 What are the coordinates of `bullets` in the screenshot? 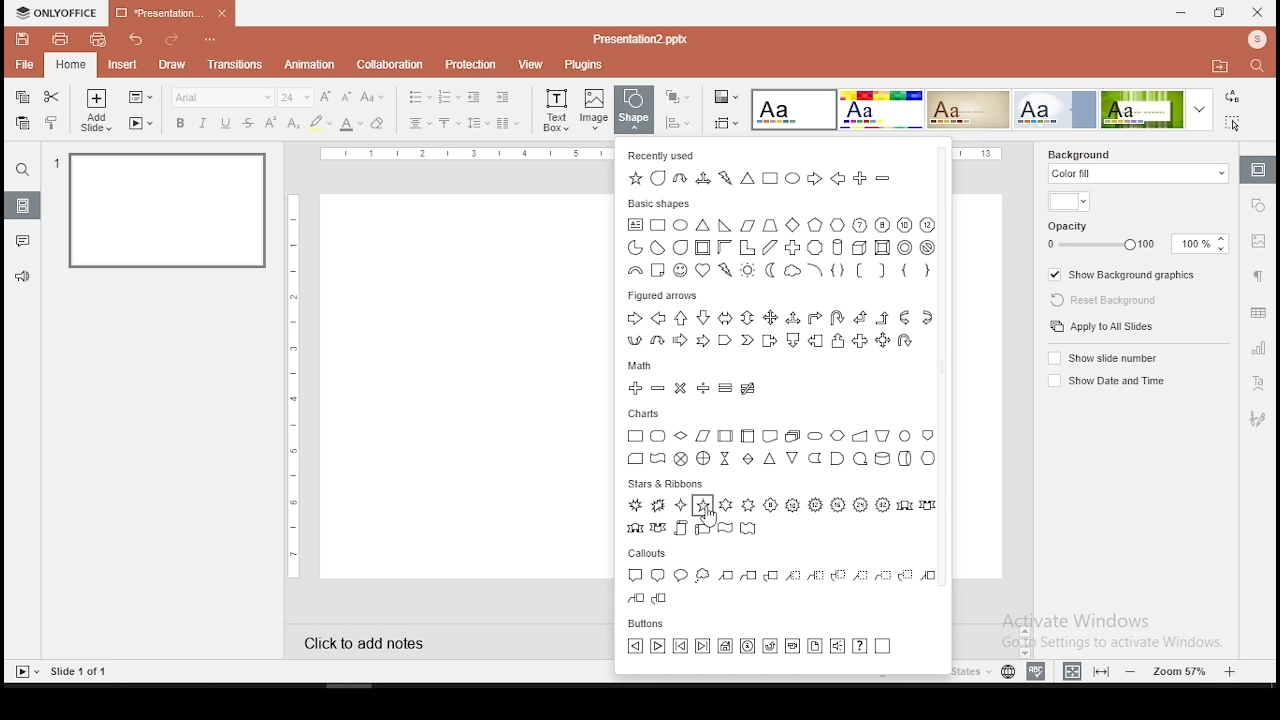 It's located at (419, 97).